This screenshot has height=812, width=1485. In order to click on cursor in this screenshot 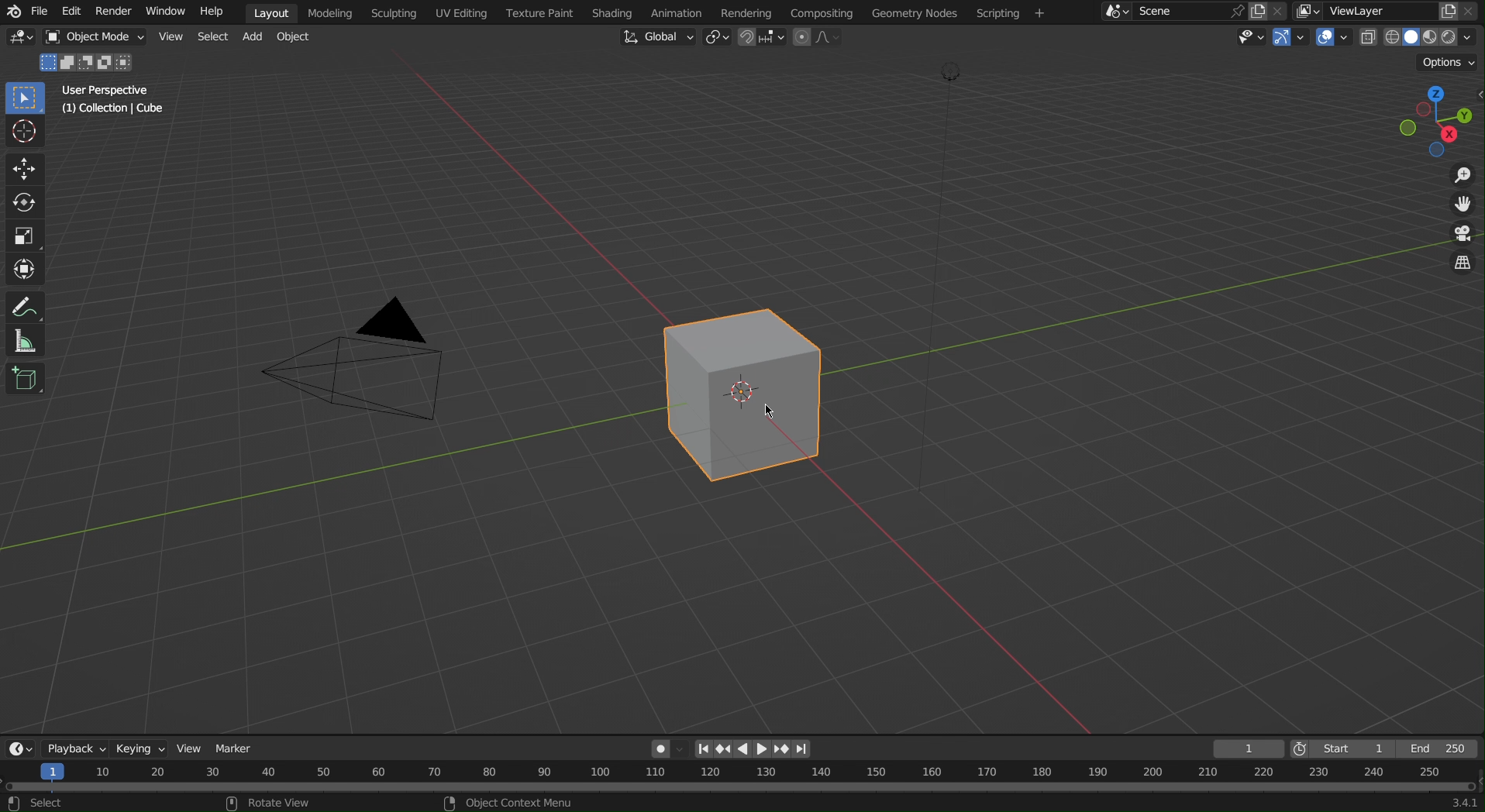, I will do `click(773, 411)`.